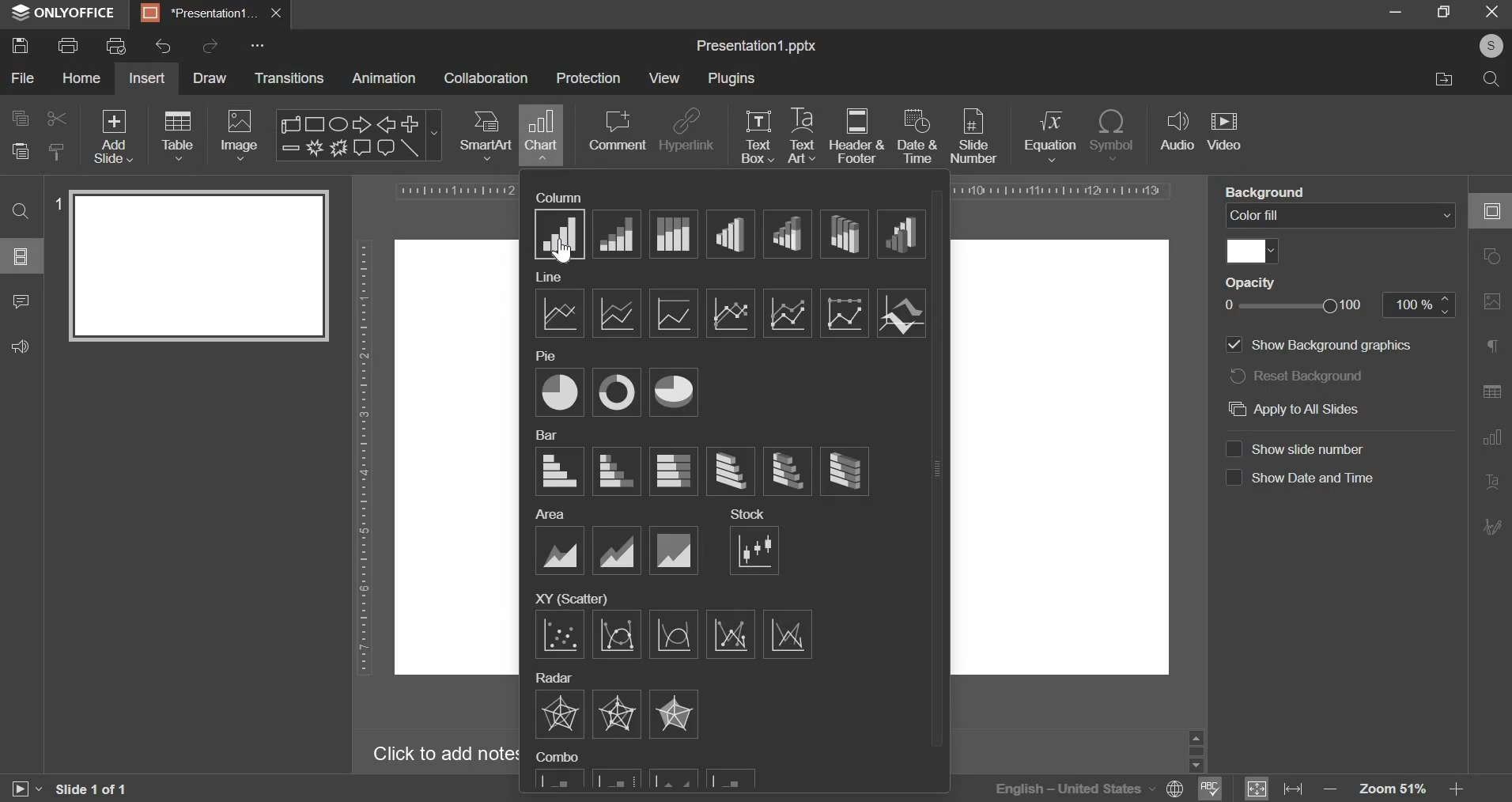 This screenshot has height=802, width=1512. I want to click on full screen, so click(1443, 11).